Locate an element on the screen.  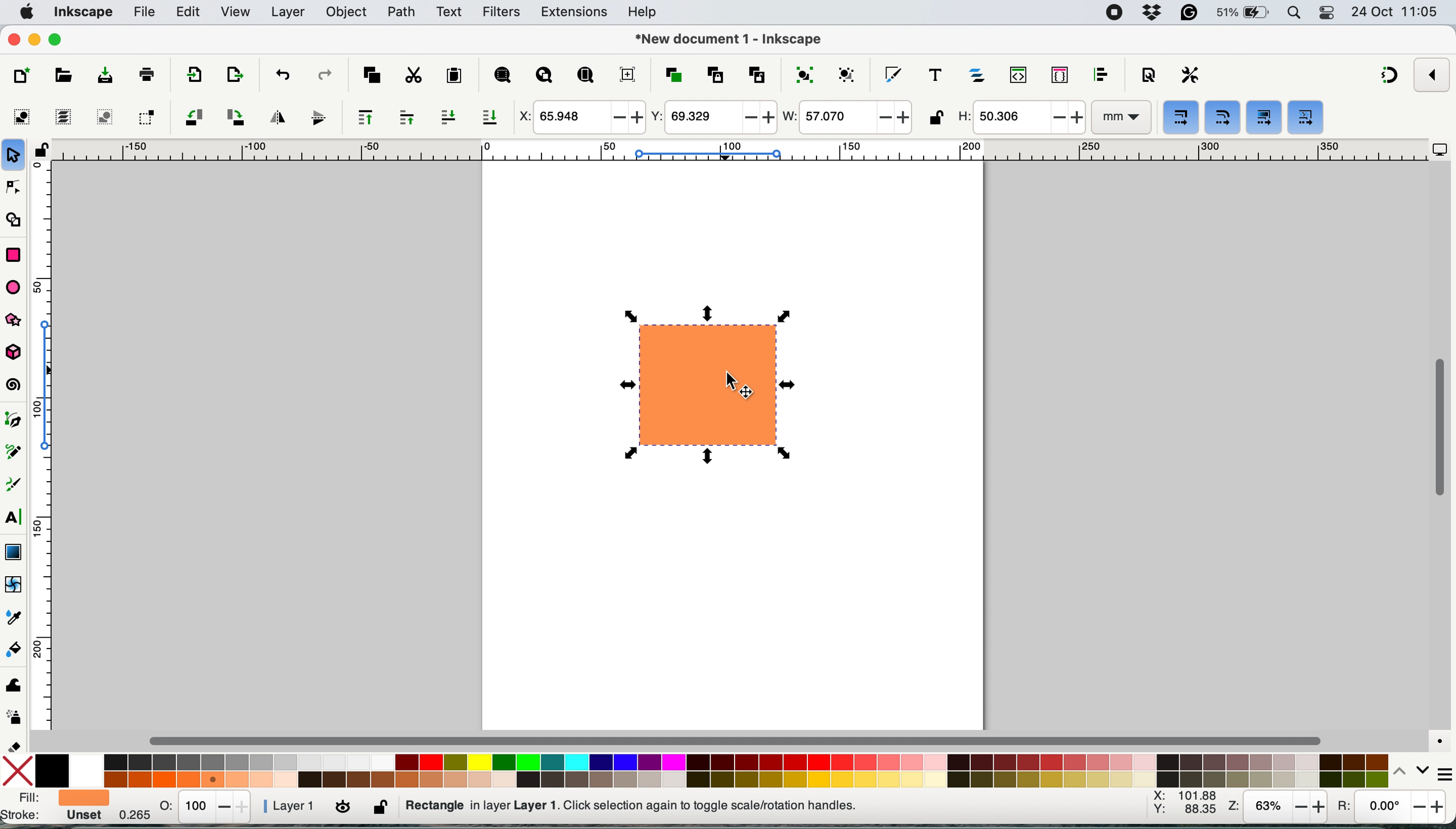
lock unlock is located at coordinates (936, 119).